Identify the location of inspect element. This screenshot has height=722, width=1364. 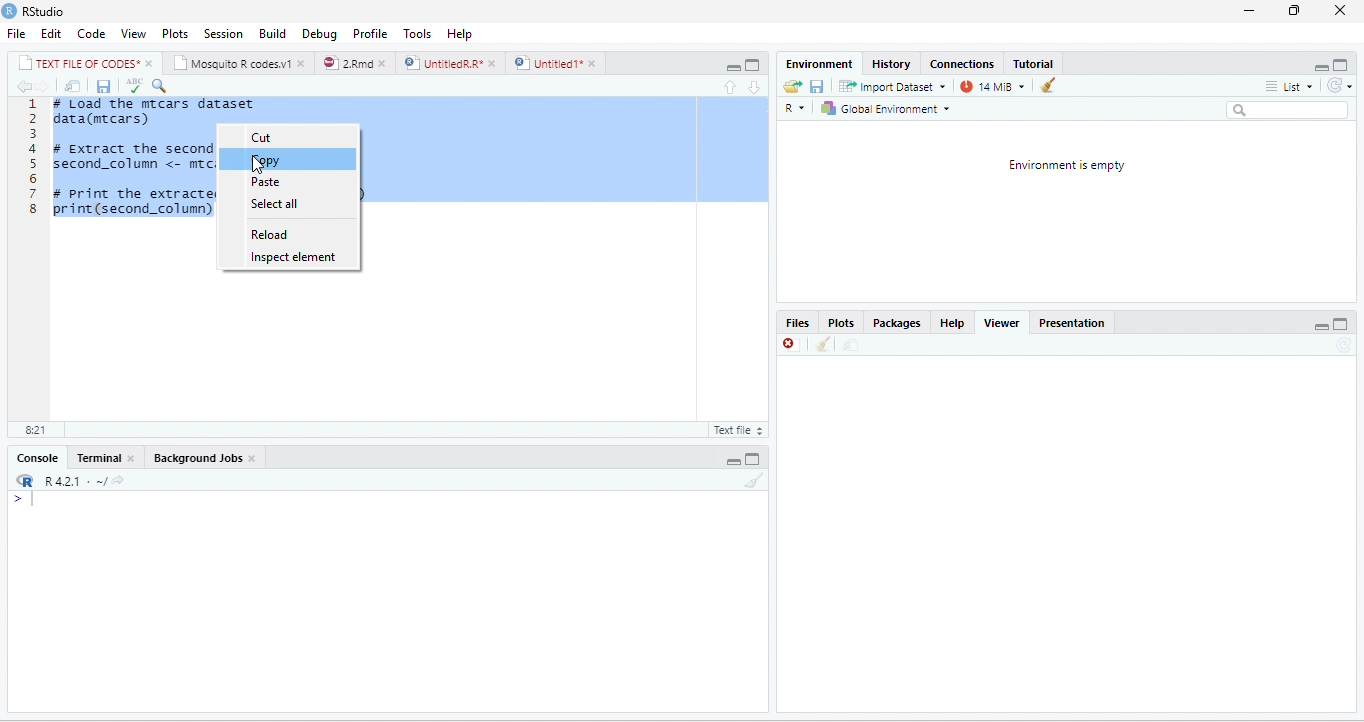
(292, 257).